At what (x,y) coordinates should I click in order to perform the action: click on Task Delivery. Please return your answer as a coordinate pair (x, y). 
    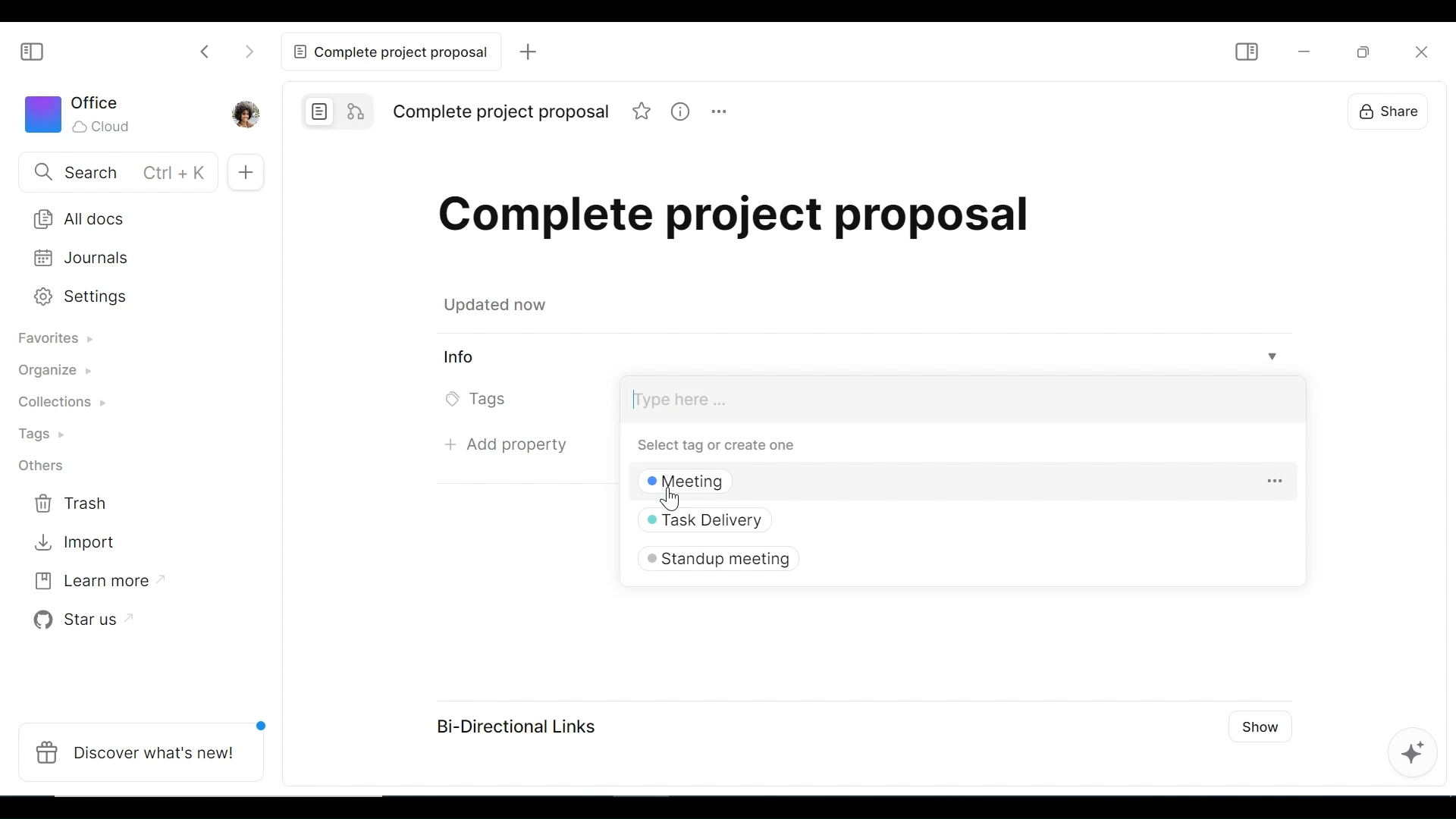
    Looking at the image, I should click on (714, 517).